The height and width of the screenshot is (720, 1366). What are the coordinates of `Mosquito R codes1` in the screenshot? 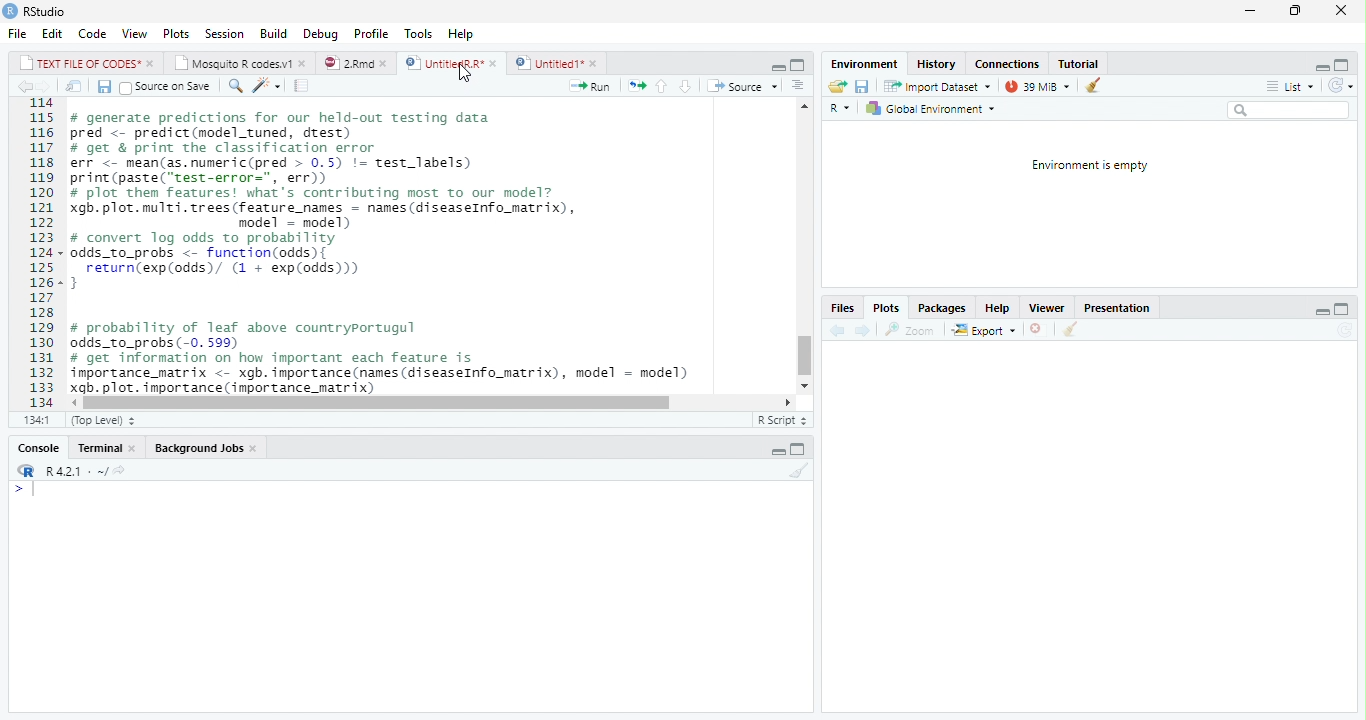 It's located at (241, 63).